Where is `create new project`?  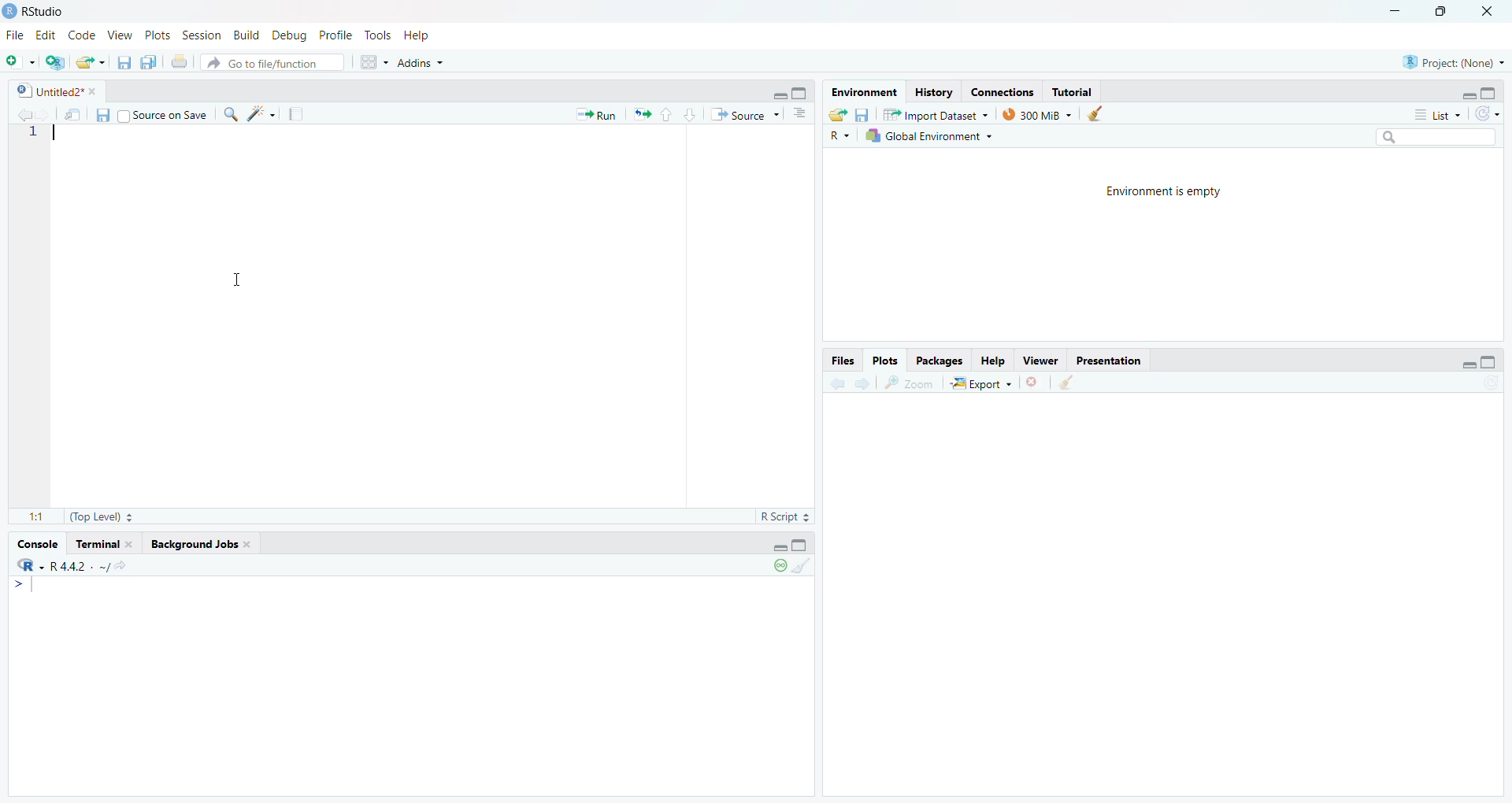 create new project is located at coordinates (53, 61).